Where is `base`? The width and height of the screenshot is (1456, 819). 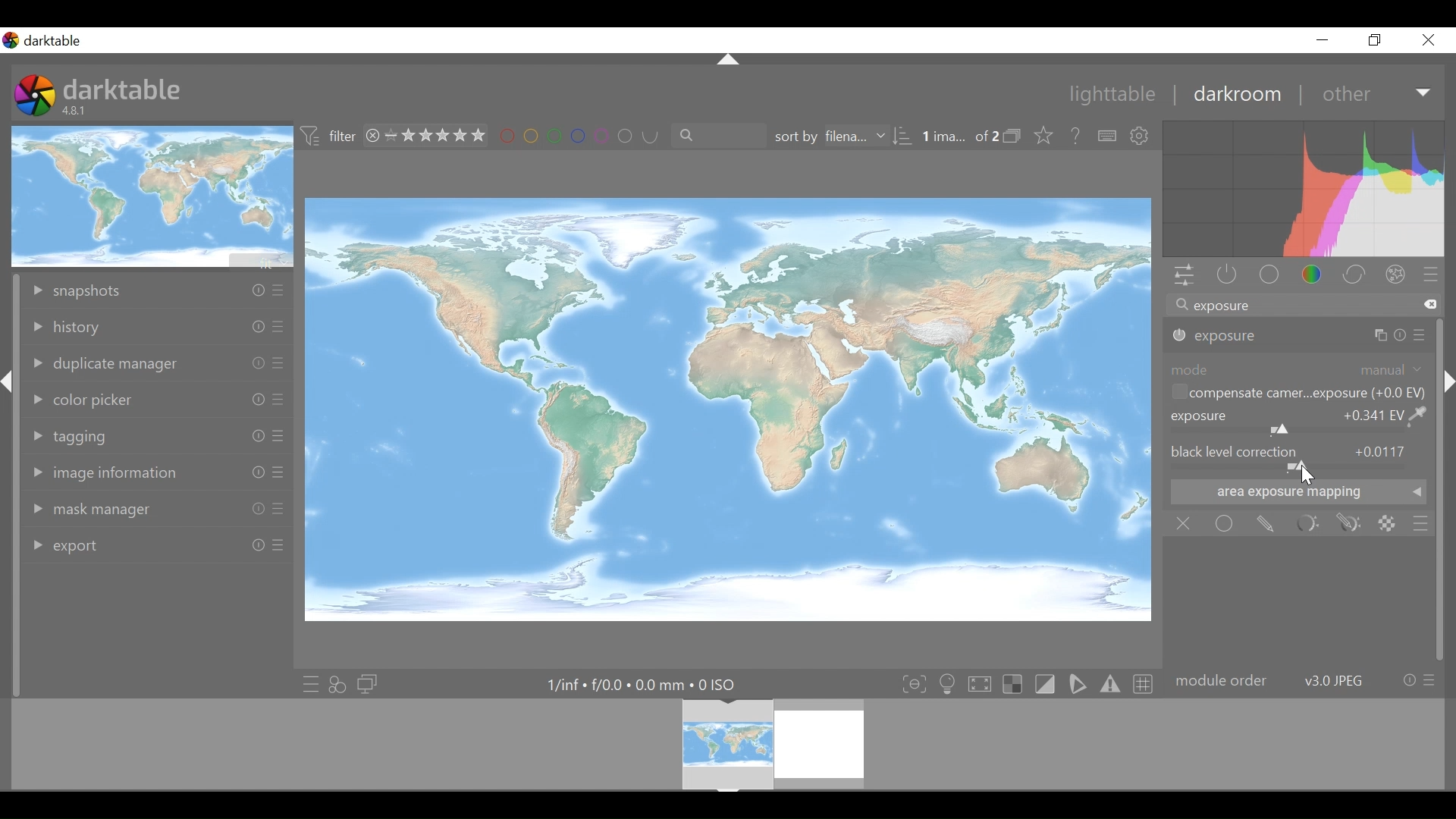 base is located at coordinates (1267, 275).